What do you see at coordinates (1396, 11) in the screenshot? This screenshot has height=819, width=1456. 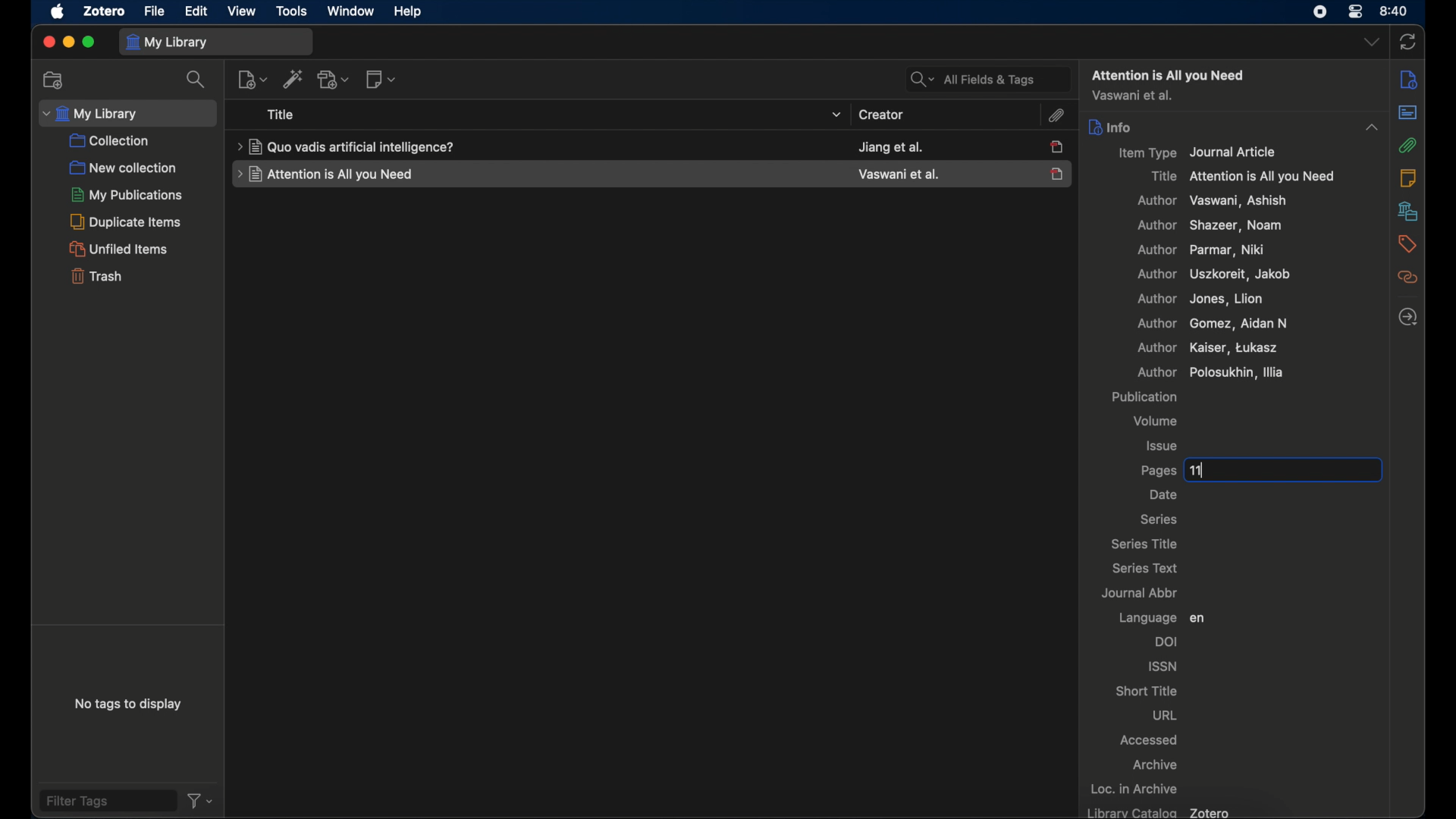 I see `time` at bounding box center [1396, 11].